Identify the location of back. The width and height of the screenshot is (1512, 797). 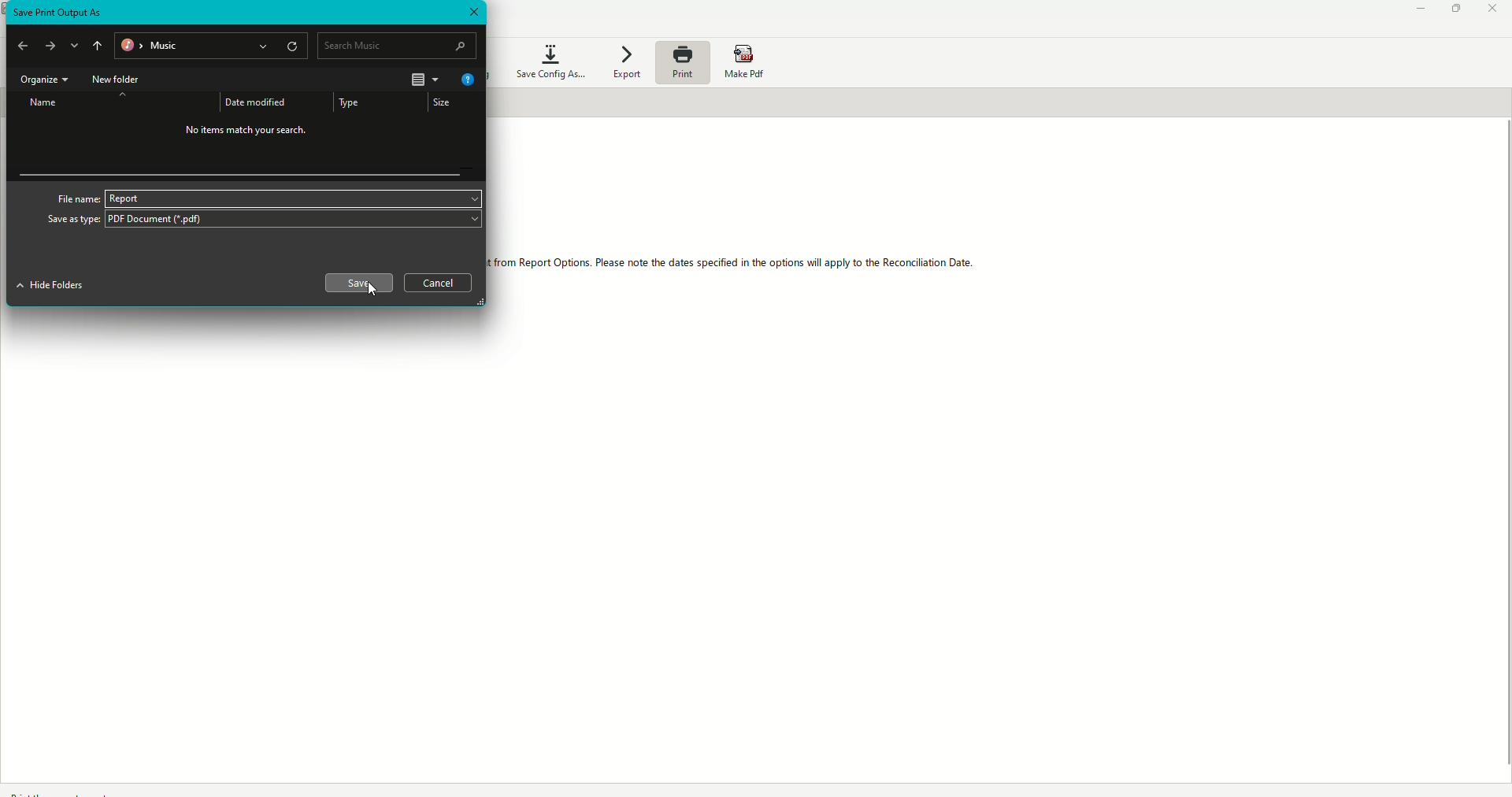
(25, 45).